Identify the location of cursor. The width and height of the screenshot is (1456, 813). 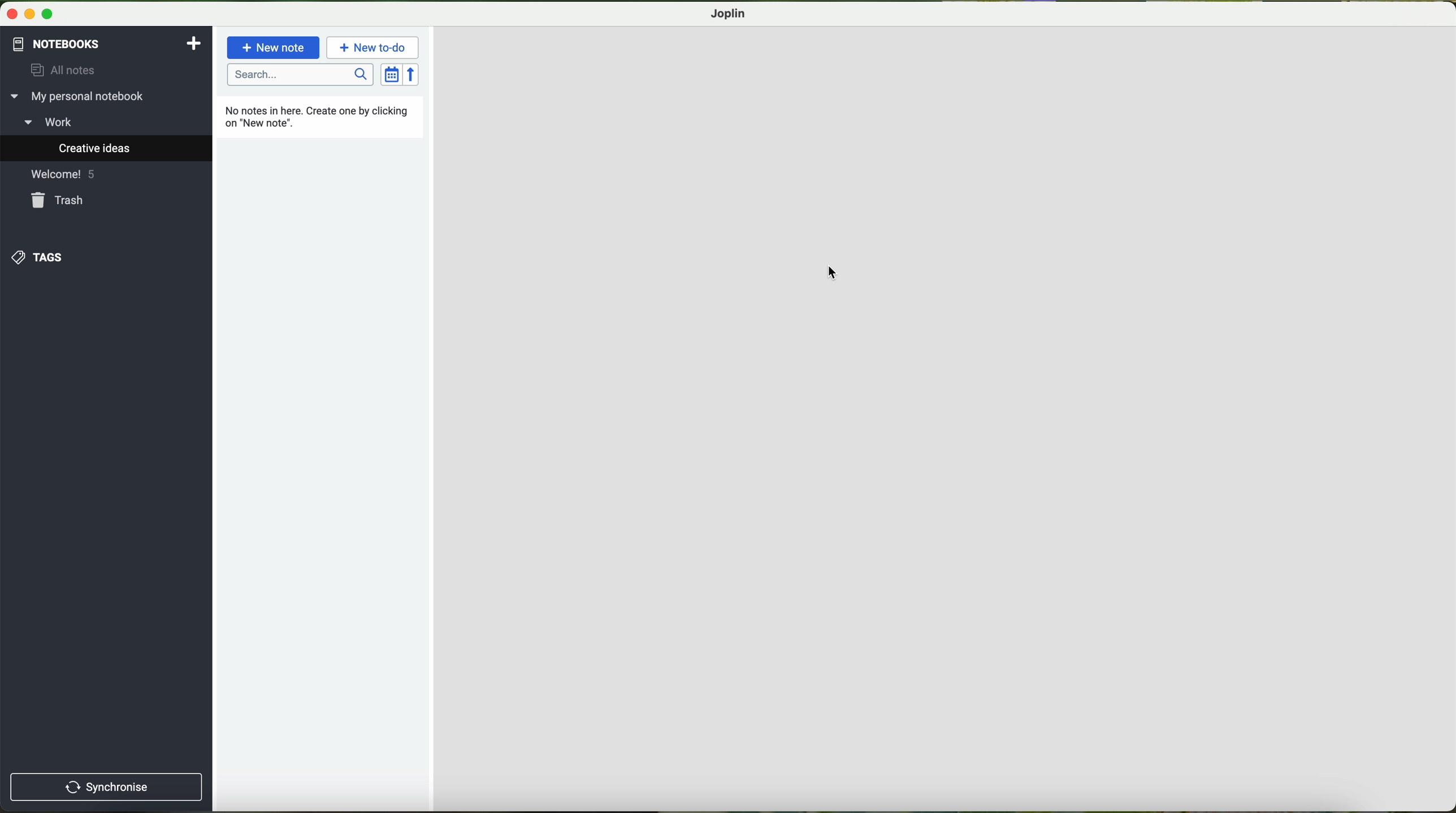
(833, 273).